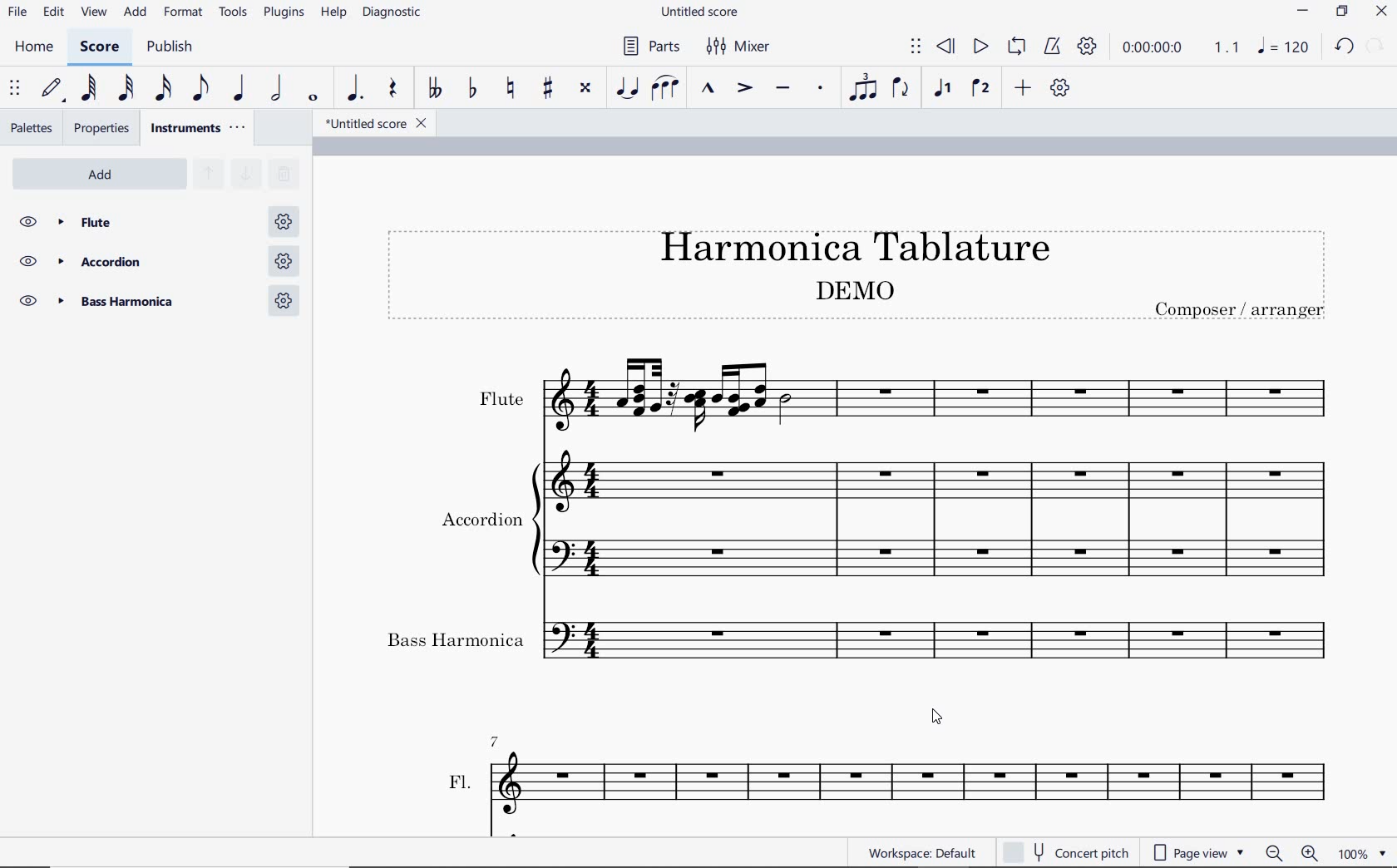 This screenshot has width=1397, height=868. I want to click on FORMAT, so click(183, 13).